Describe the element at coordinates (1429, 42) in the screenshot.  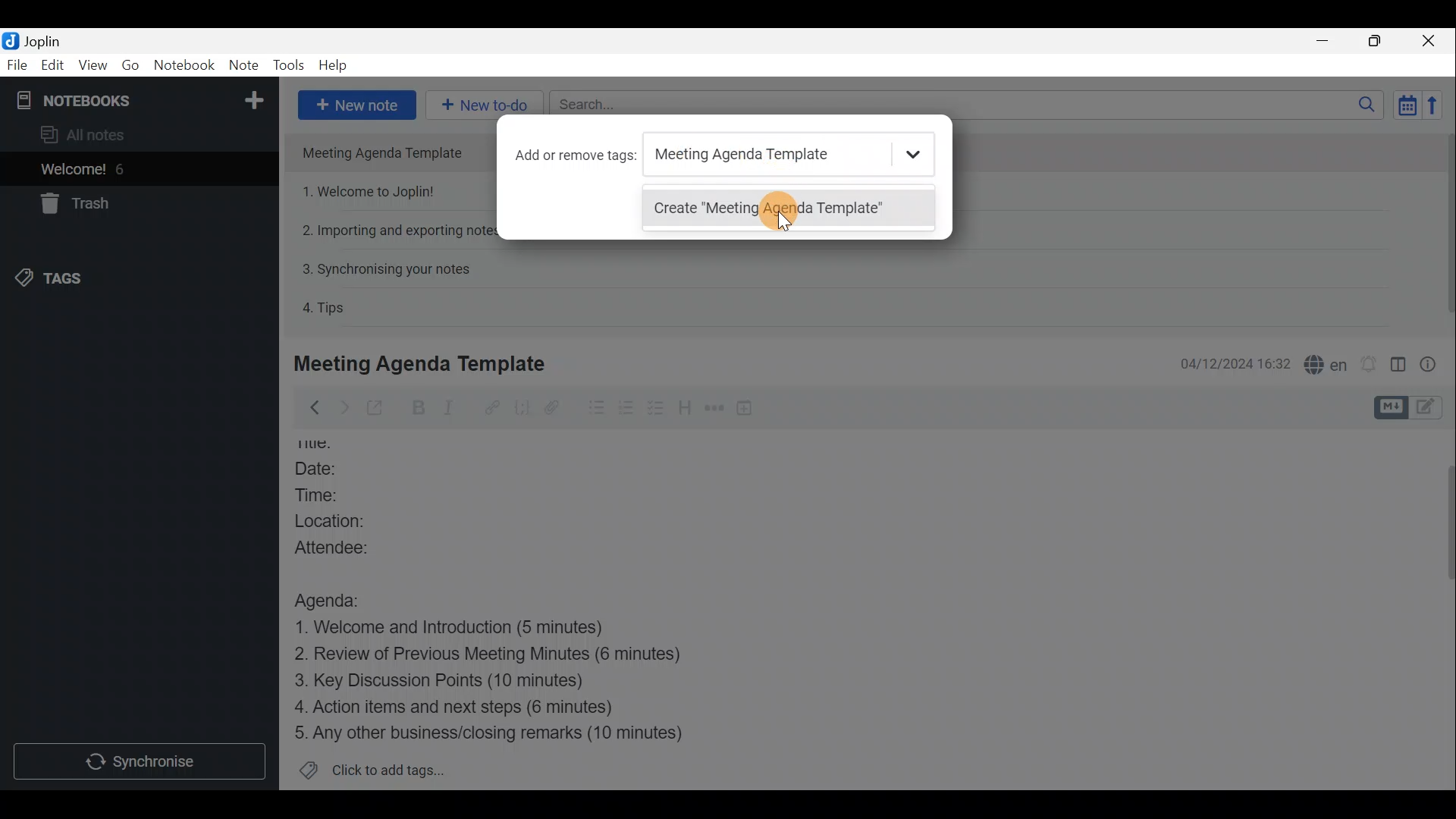
I see `Close` at that location.